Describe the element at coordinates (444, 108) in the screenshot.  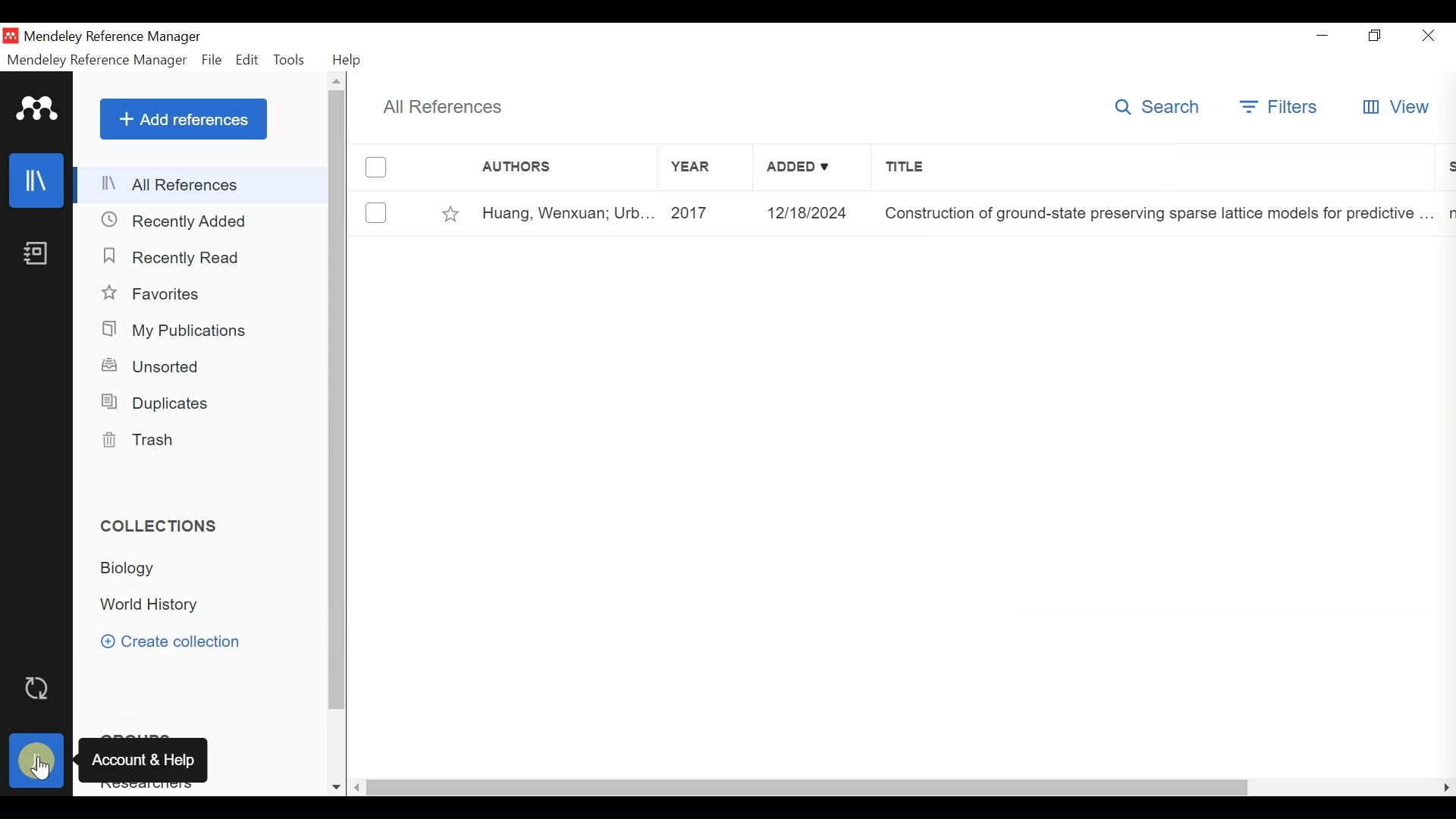
I see `All References` at that location.